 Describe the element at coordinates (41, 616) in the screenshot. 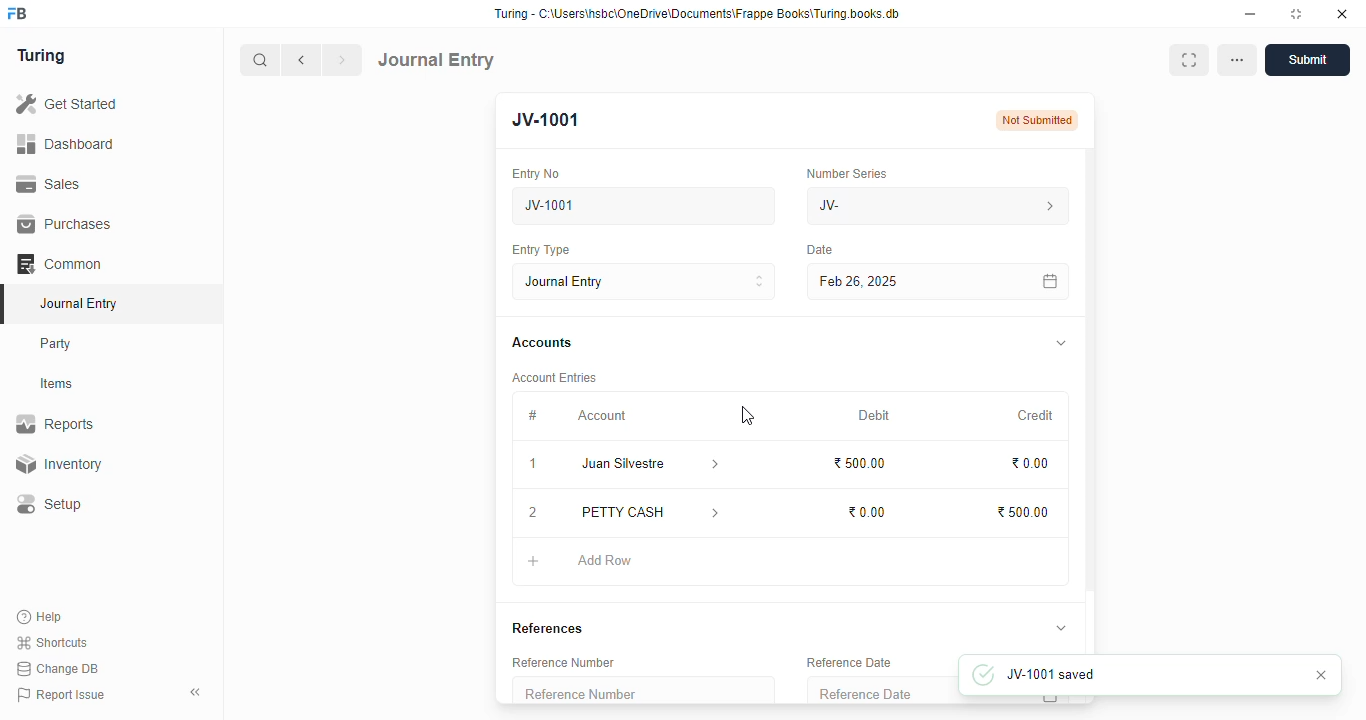

I see `help` at that location.